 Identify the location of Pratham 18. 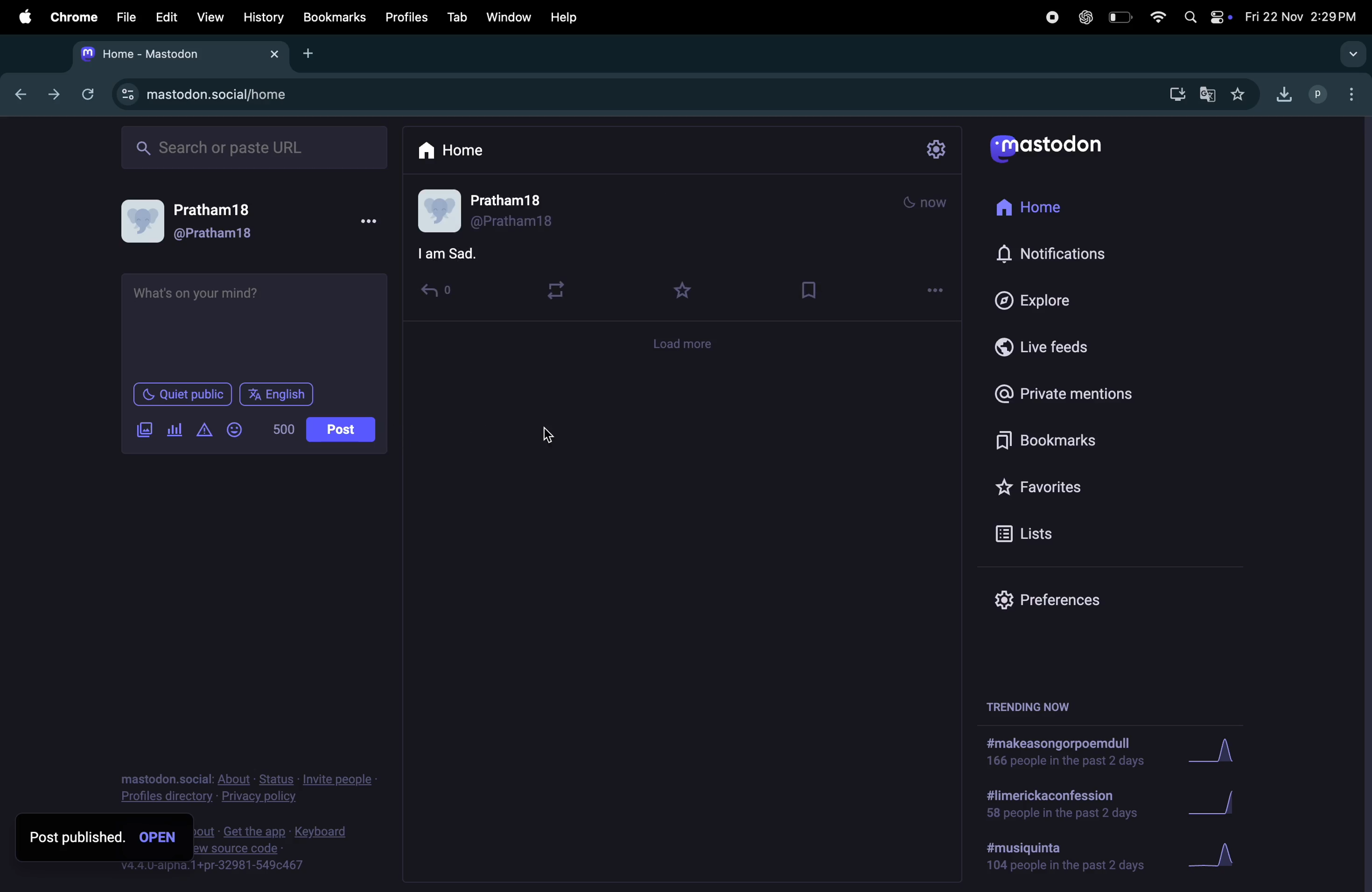
(218, 209).